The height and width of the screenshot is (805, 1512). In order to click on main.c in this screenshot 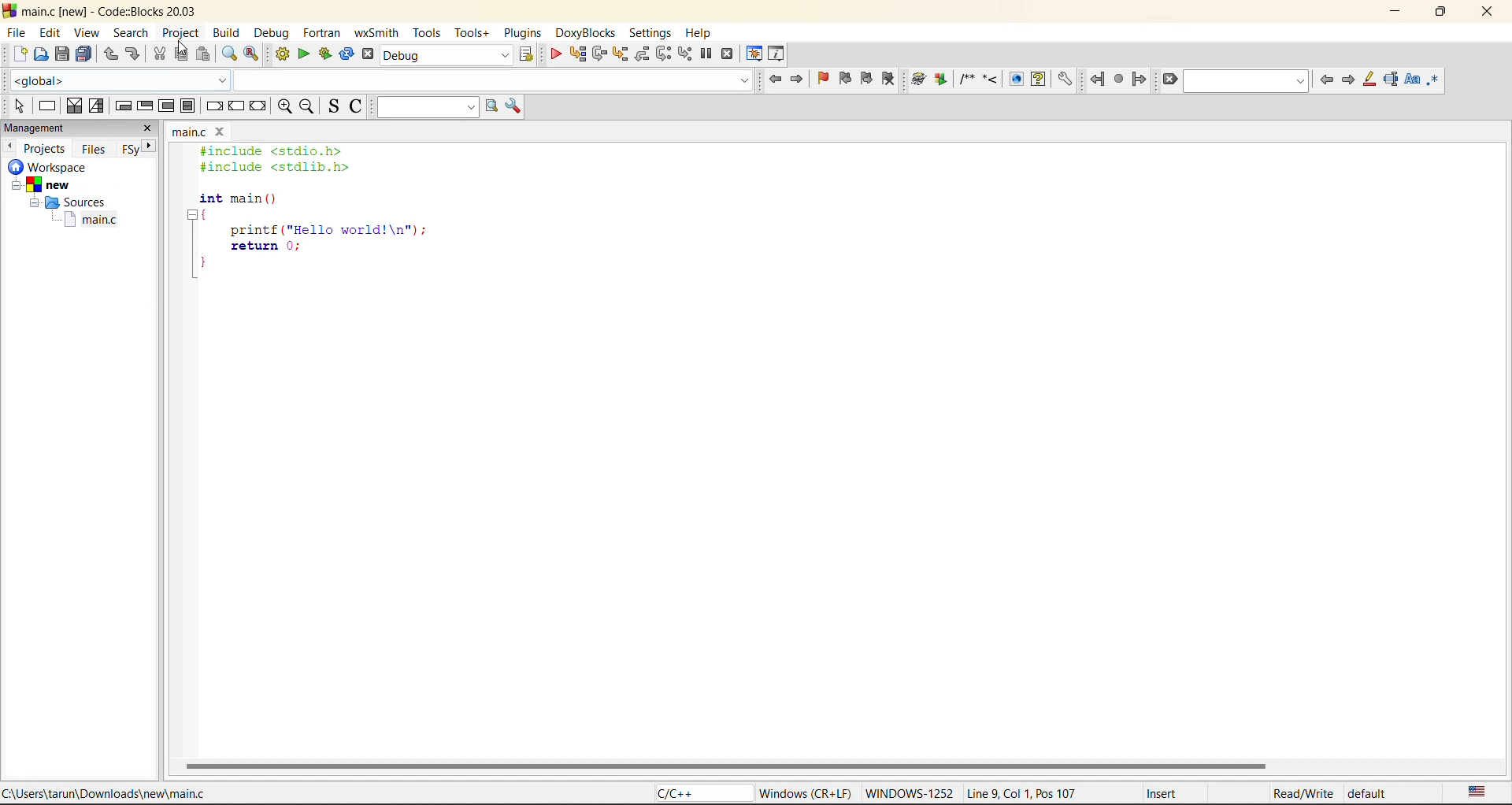, I will do `click(94, 222)`.